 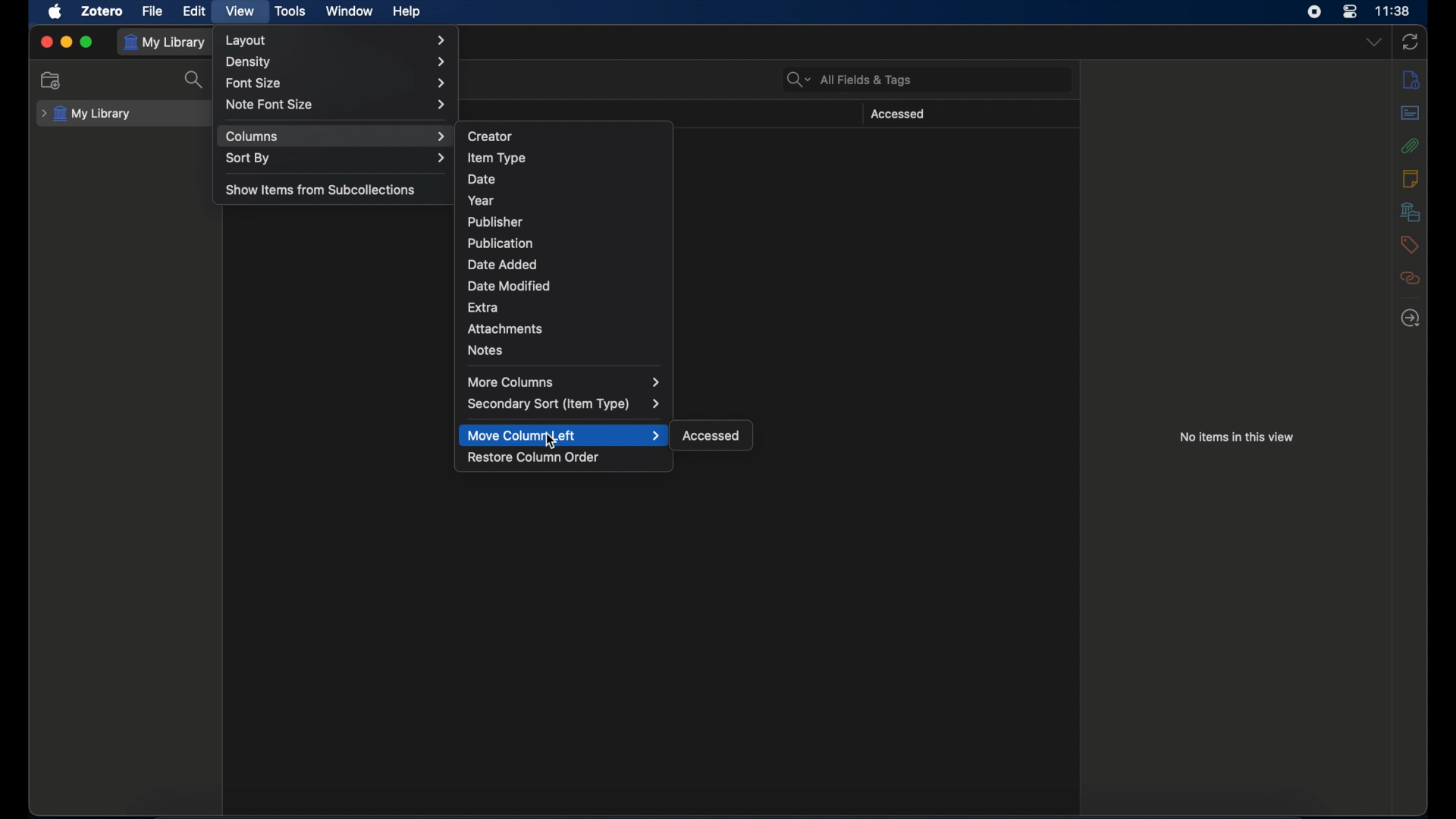 I want to click on related, so click(x=1409, y=278).